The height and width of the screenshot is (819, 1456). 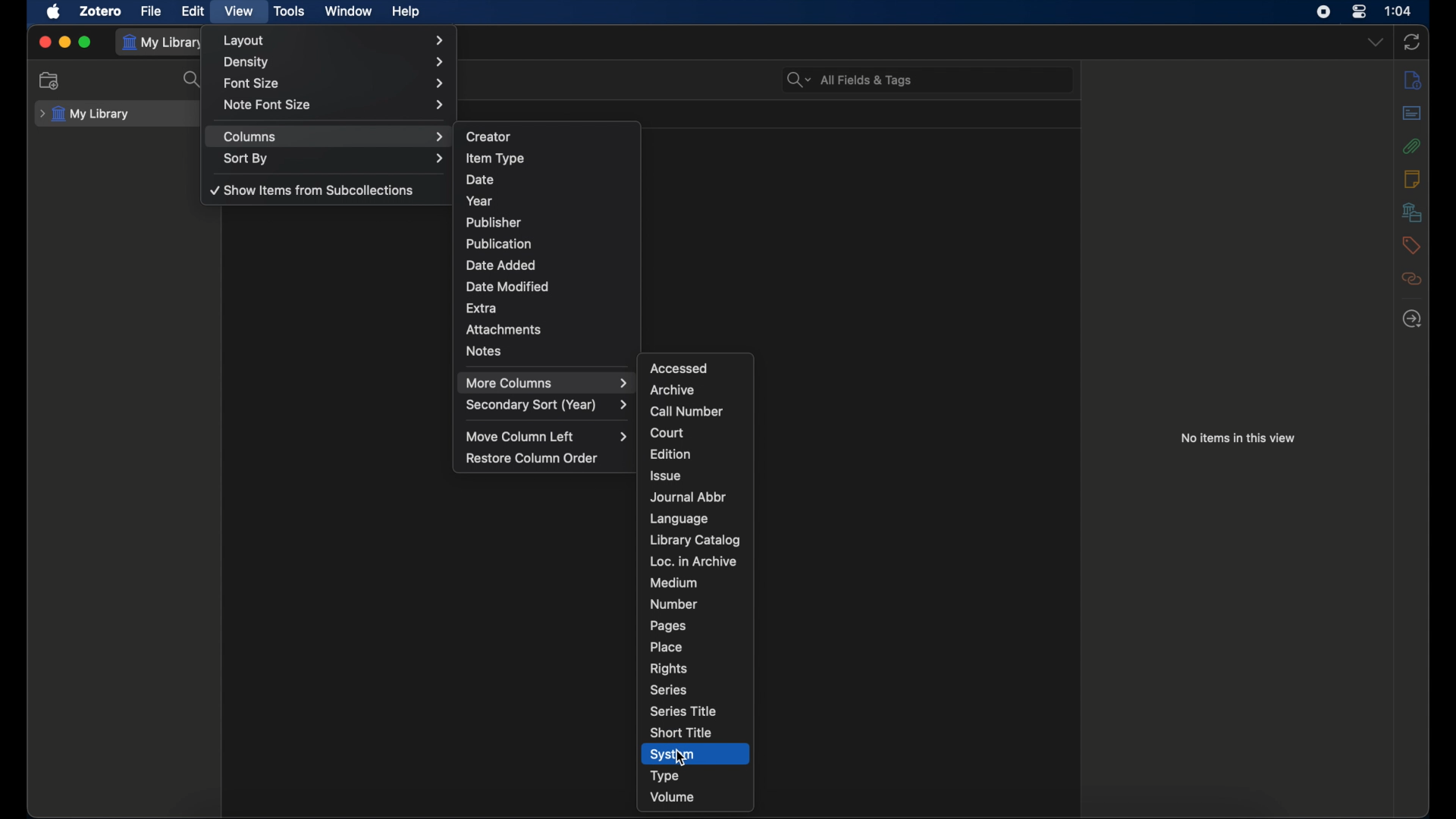 What do you see at coordinates (501, 265) in the screenshot?
I see `date added` at bounding box center [501, 265].